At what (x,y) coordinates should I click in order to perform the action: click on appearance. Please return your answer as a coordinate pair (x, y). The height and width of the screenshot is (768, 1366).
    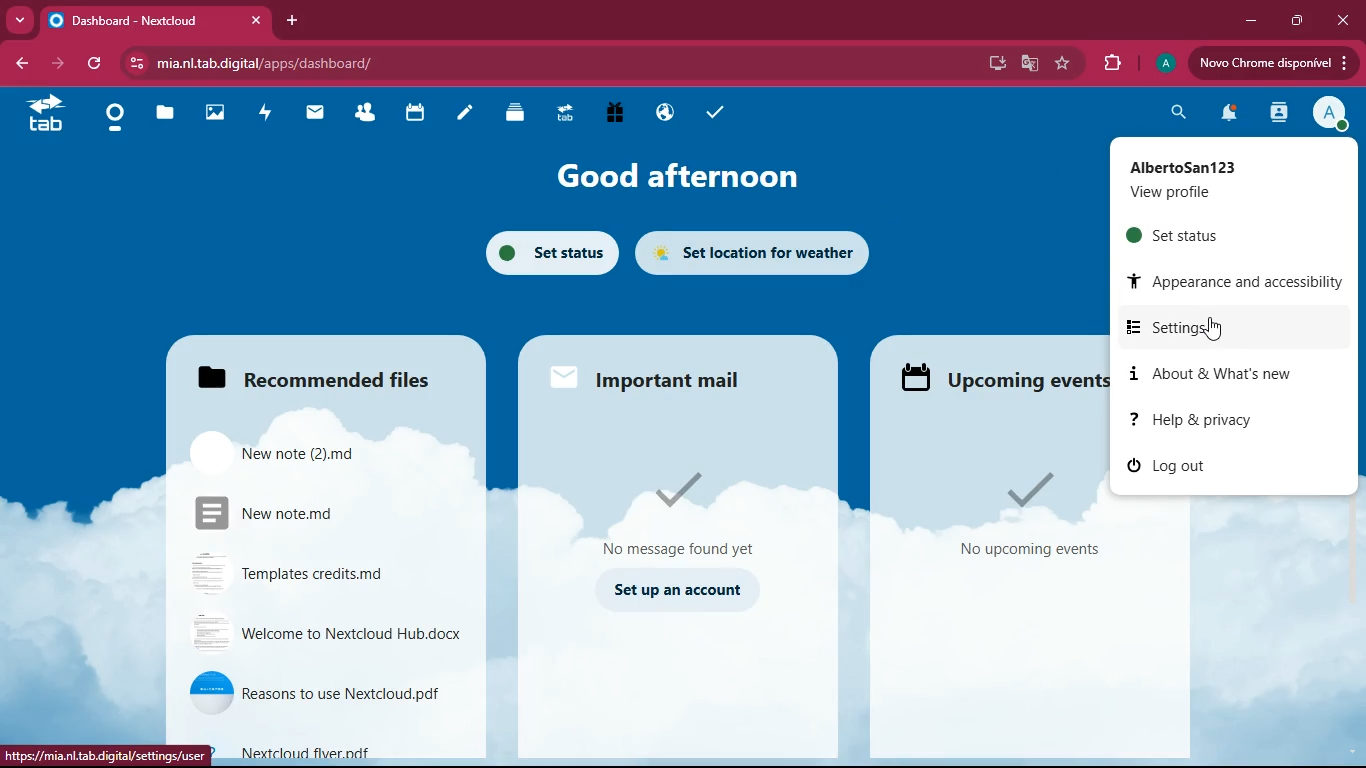
    Looking at the image, I should click on (1241, 283).